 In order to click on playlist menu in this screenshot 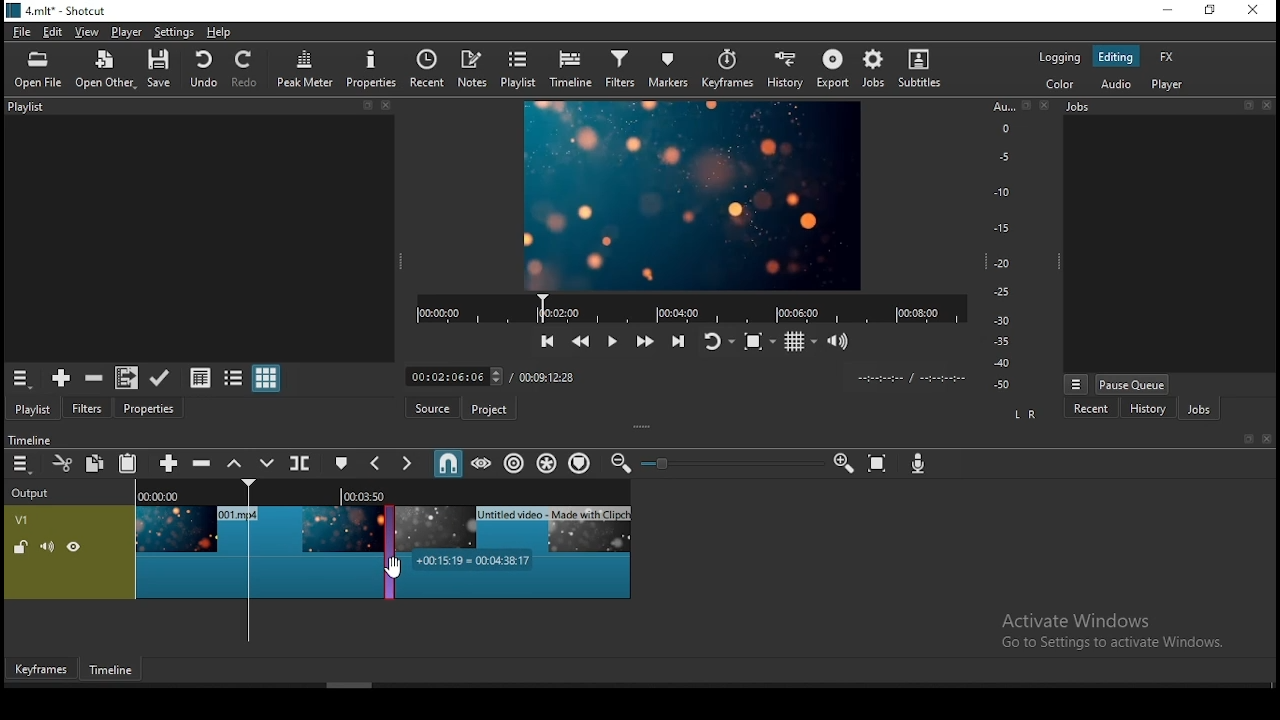, I will do `click(20, 378)`.